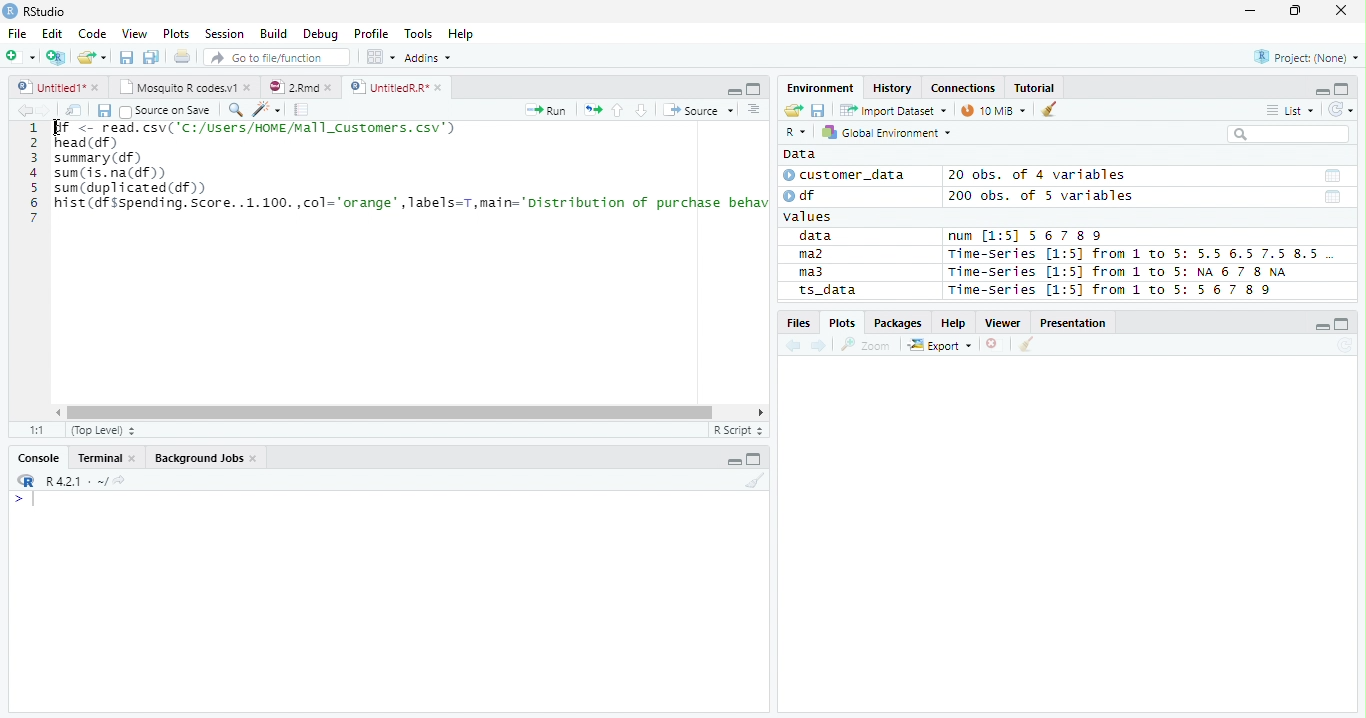 This screenshot has height=718, width=1366. I want to click on Plots, so click(176, 34).